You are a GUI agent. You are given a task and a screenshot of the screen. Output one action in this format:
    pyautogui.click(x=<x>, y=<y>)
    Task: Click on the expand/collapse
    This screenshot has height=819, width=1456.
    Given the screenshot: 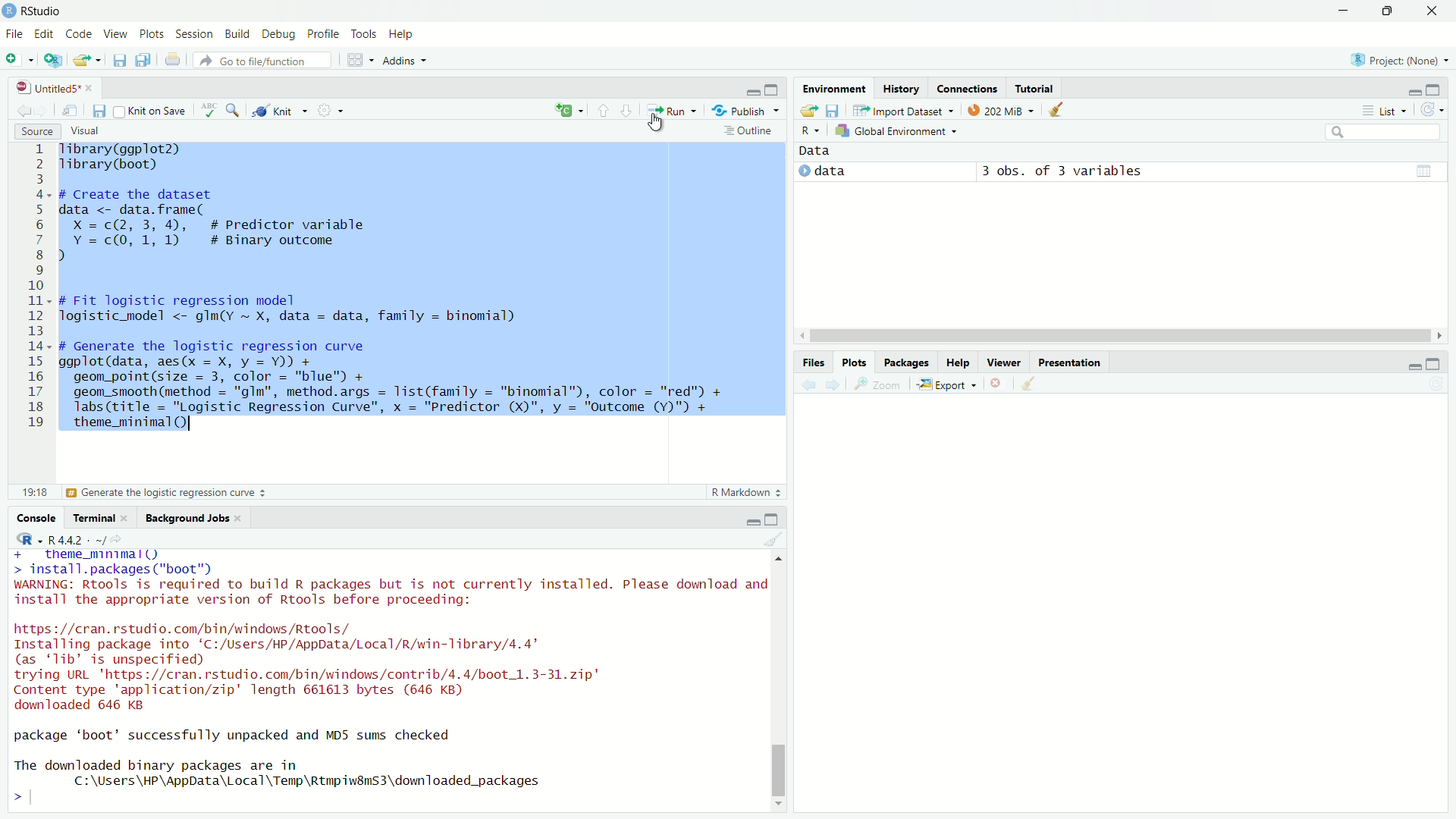 What is the action you would take?
    pyautogui.click(x=803, y=171)
    